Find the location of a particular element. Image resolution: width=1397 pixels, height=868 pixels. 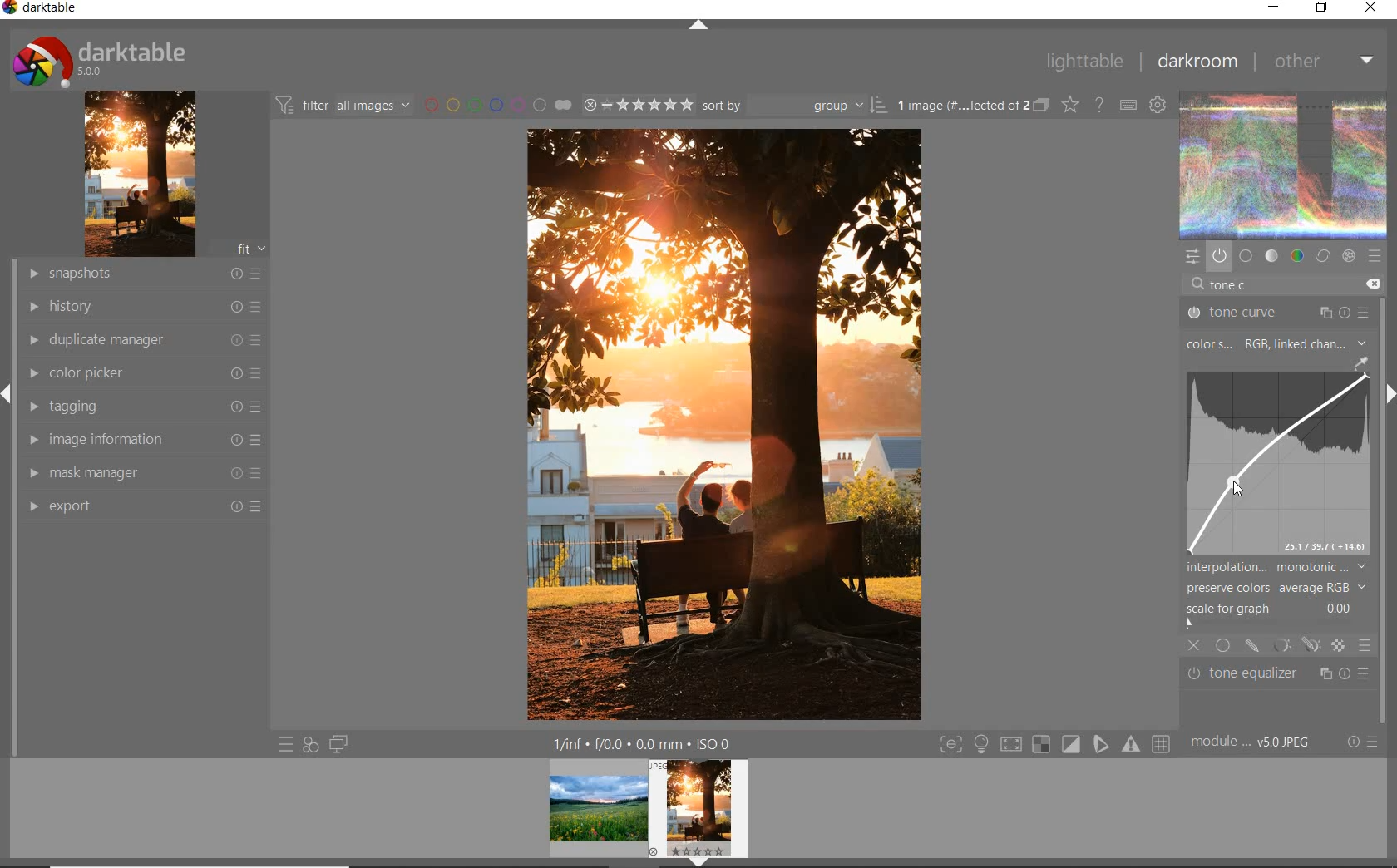

lighttable is located at coordinates (1082, 62).